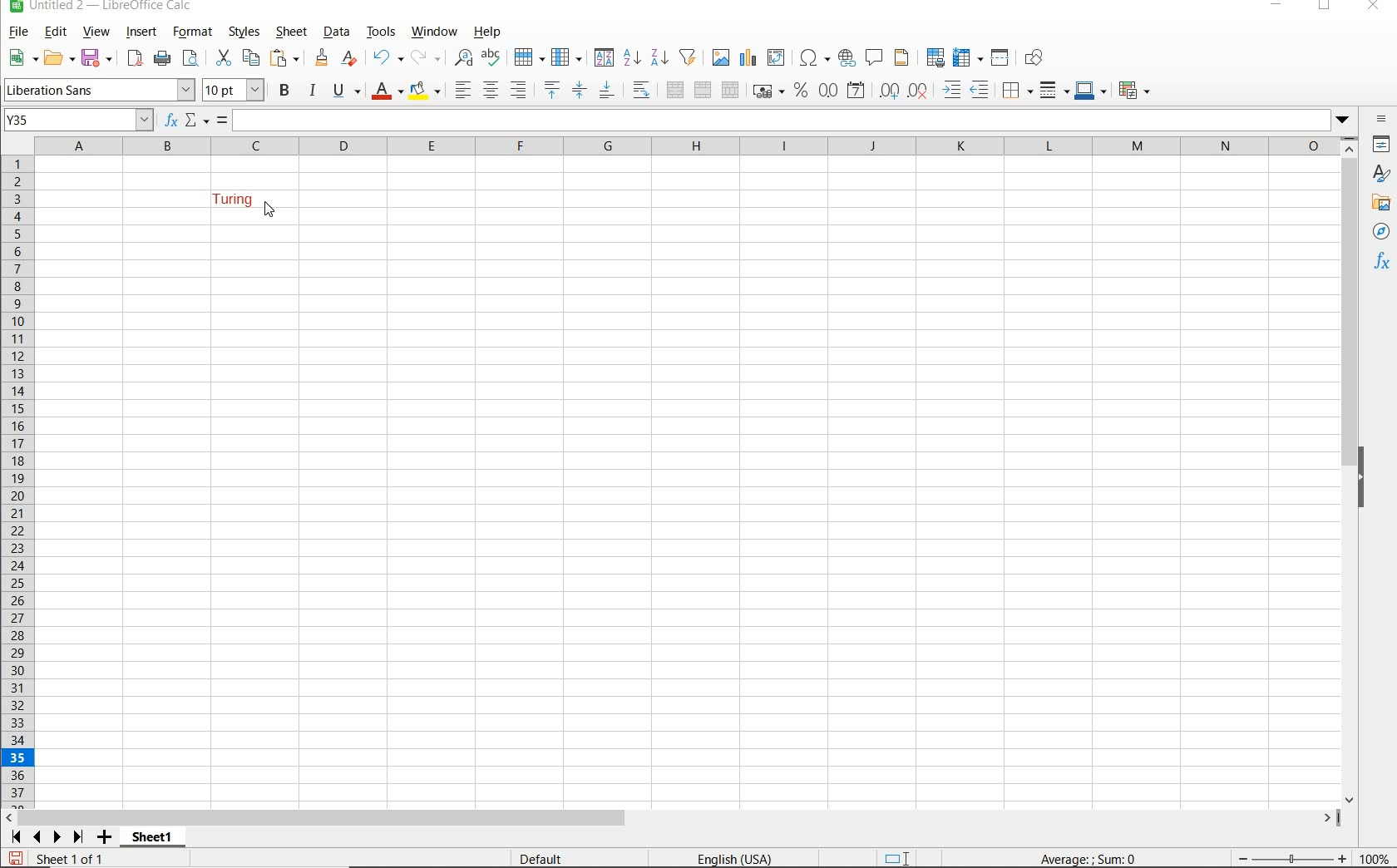 The height and width of the screenshot is (868, 1397). What do you see at coordinates (171, 121) in the screenshot?
I see `FUNCTION WIZARD` at bounding box center [171, 121].